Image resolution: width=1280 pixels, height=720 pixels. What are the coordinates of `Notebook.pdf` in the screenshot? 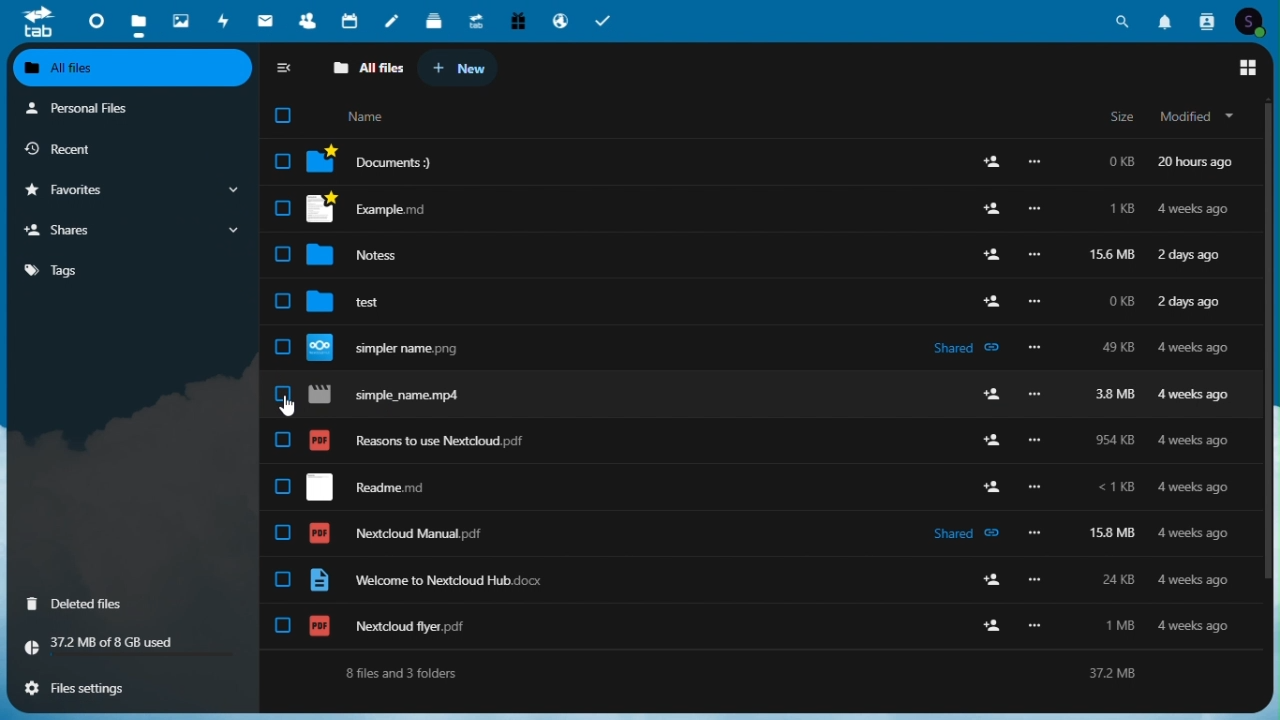 It's located at (742, 533).